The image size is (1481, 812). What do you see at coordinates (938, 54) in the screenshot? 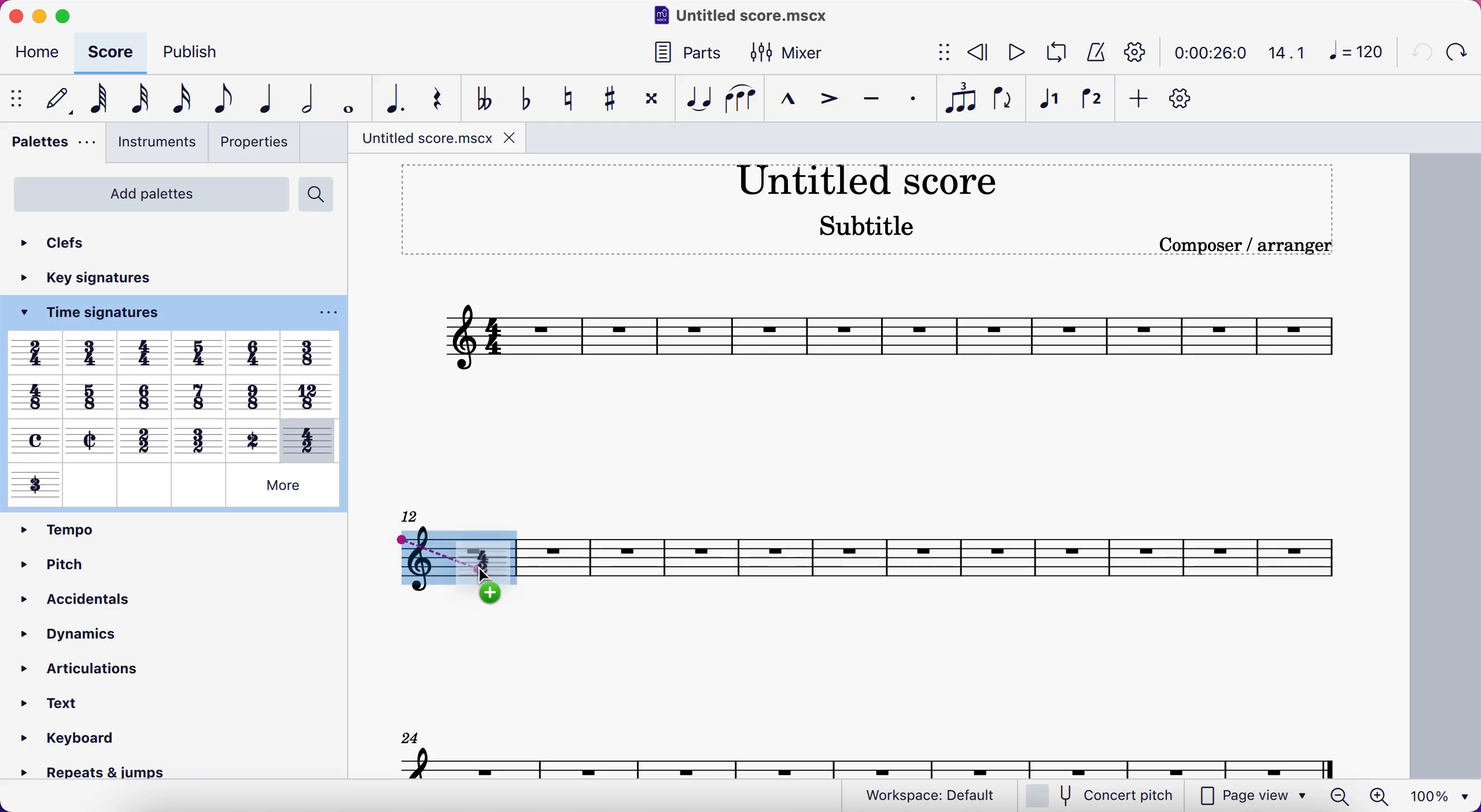
I see `show/hide` at bounding box center [938, 54].